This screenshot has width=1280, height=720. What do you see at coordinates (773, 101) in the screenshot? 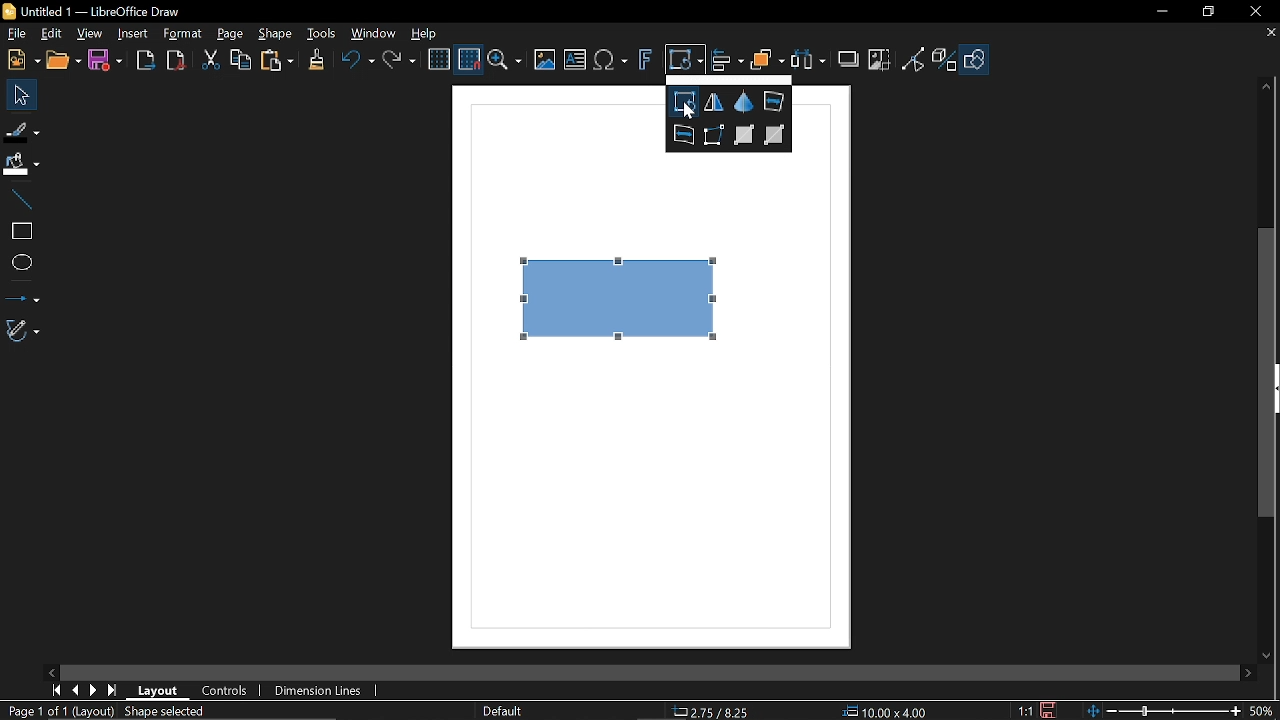
I see `Set in circle` at bounding box center [773, 101].